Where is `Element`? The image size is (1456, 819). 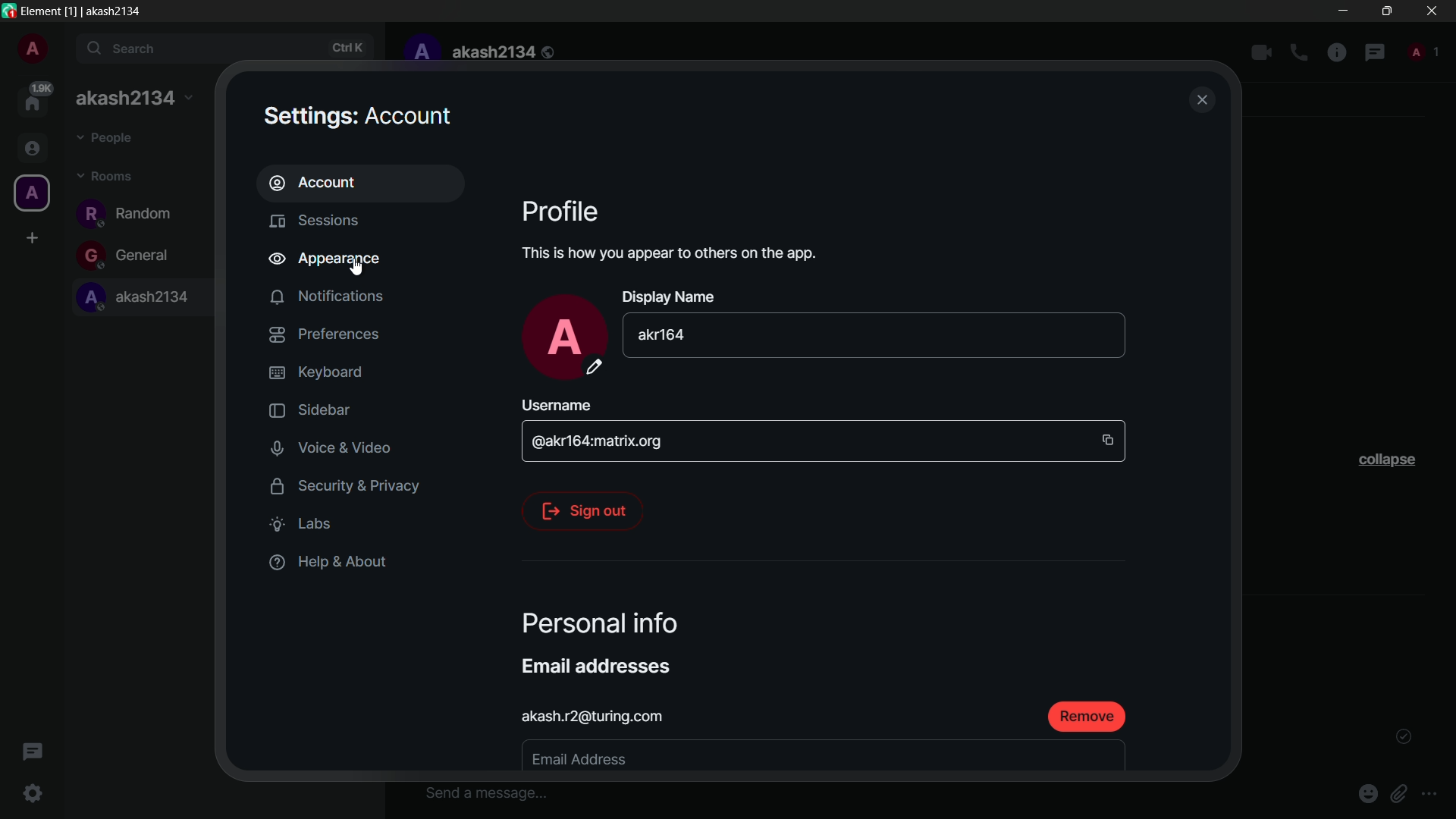 Element is located at coordinates (41, 10).